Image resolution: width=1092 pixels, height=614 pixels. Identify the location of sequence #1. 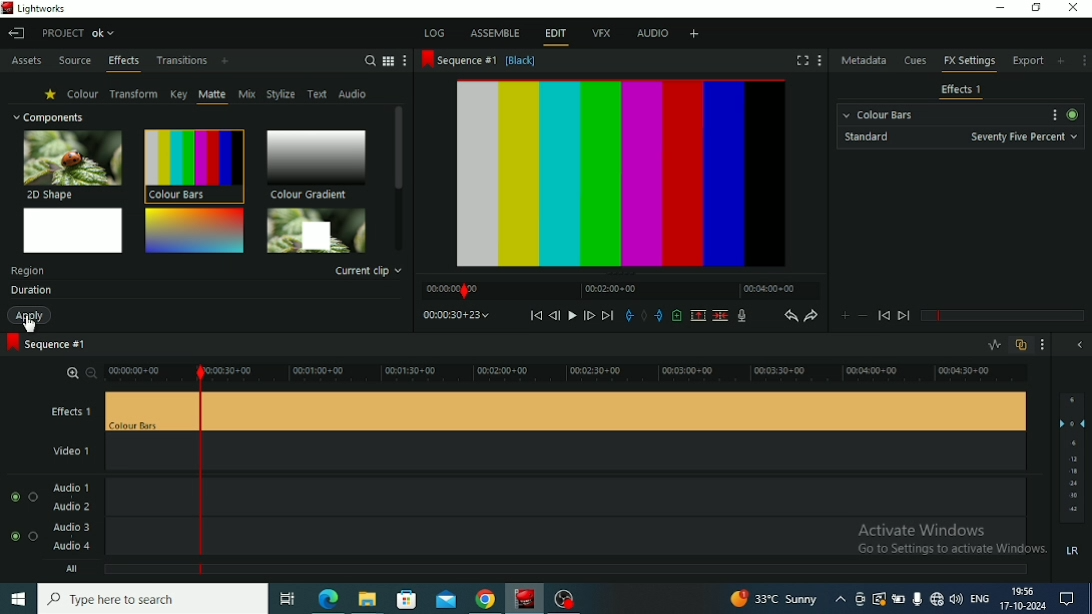
(46, 343).